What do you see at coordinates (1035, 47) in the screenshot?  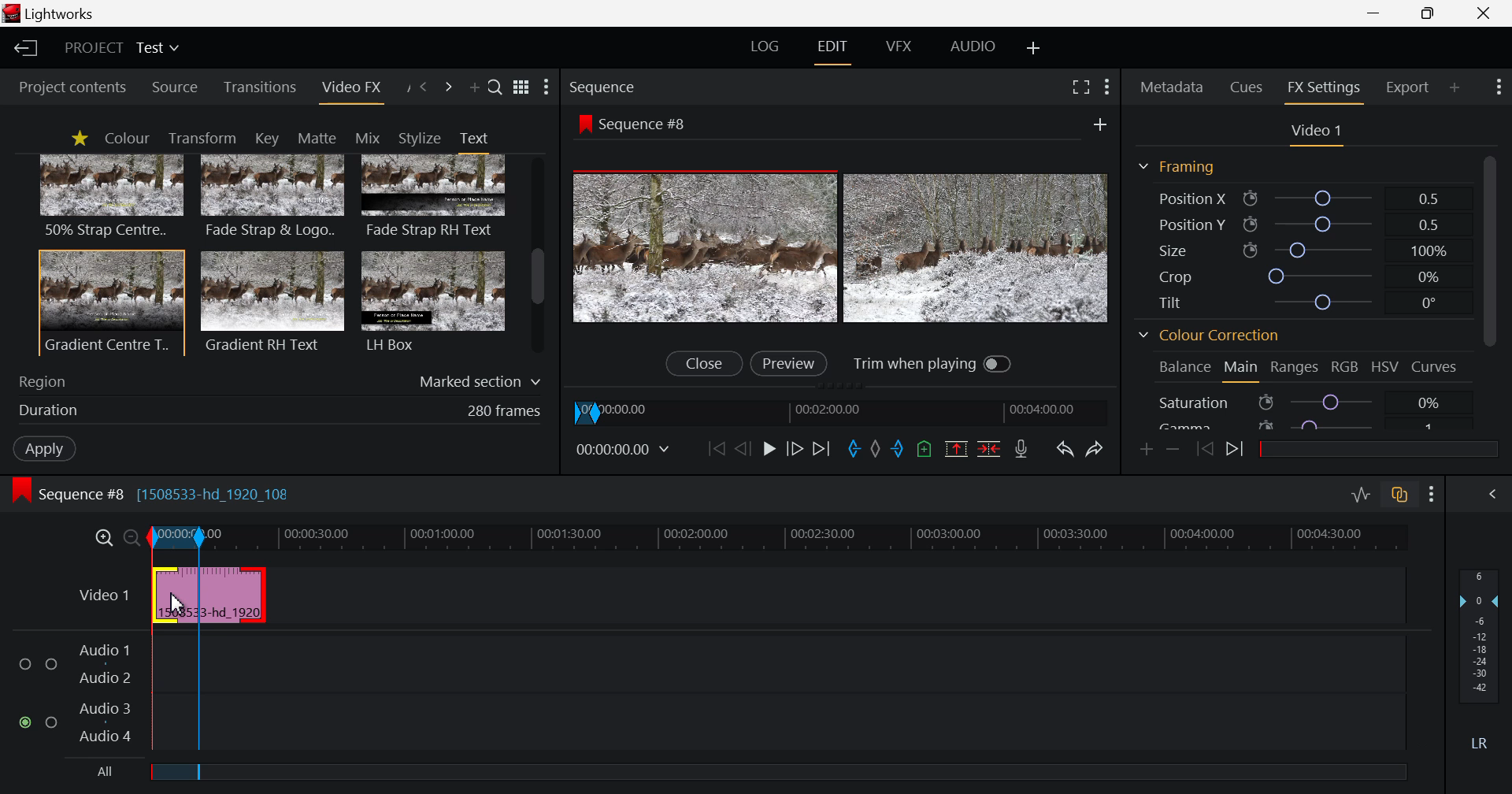 I see `Add Layout` at bounding box center [1035, 47].